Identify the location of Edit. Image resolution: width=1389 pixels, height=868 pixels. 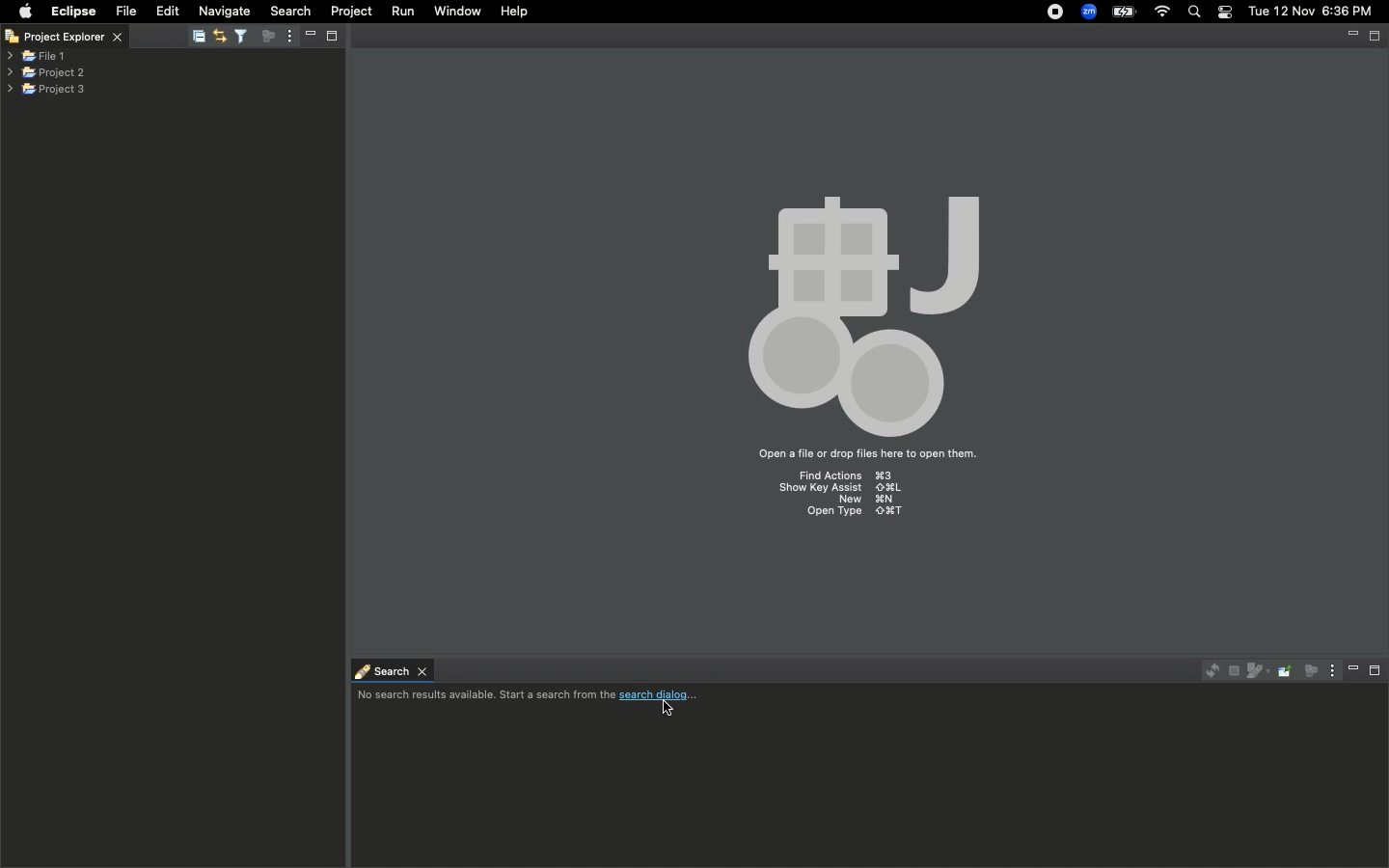
(168, 12).